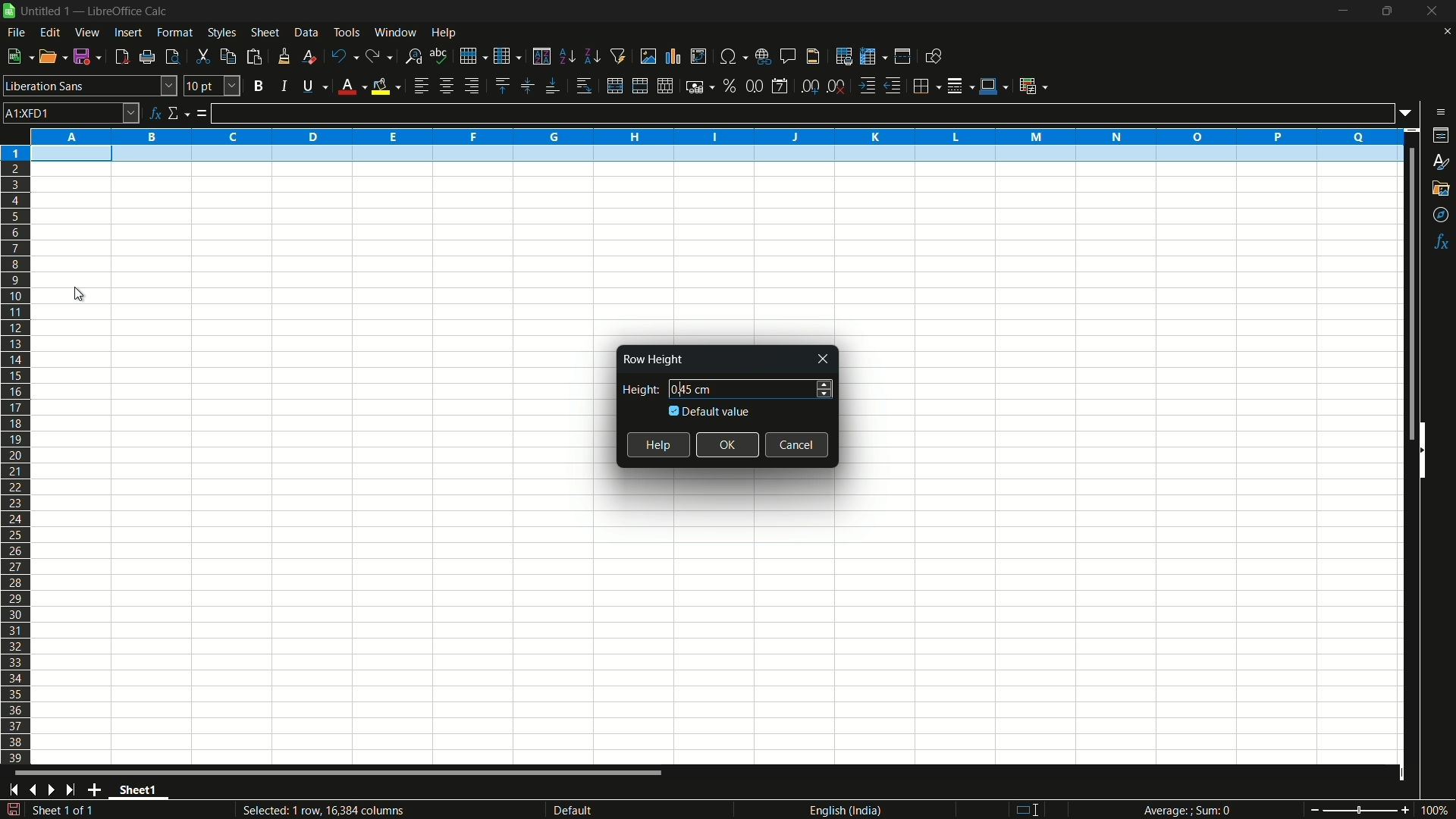 The image size is (1456, 819). I want to click on print area, so click(844, 56).